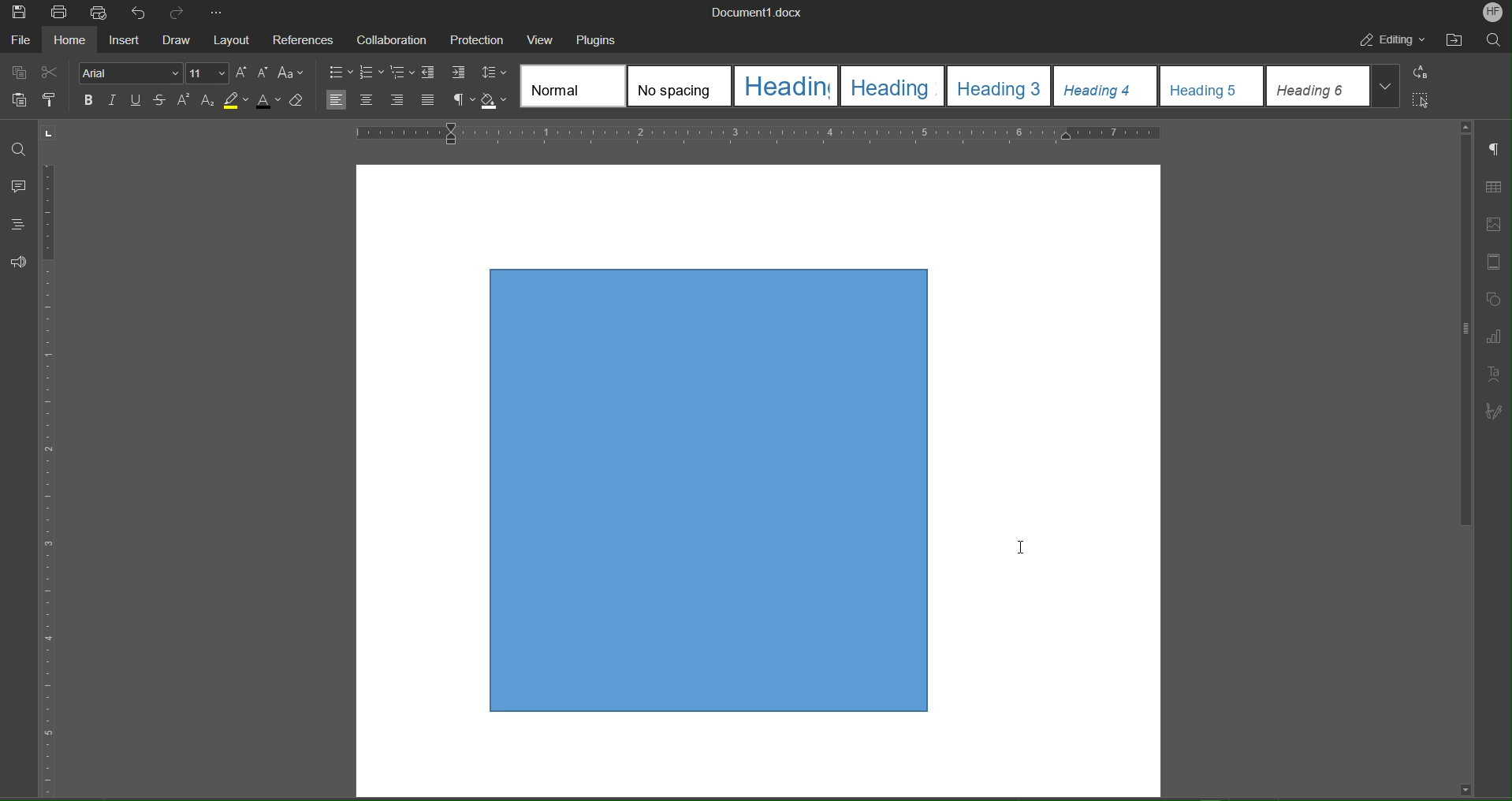 Image resolution: width=1512 pixels, height=801 pixels. What do you see at coordinates (264, 73) in the screenshot?
I see `Decrease size` at bounding box center [264, 73].